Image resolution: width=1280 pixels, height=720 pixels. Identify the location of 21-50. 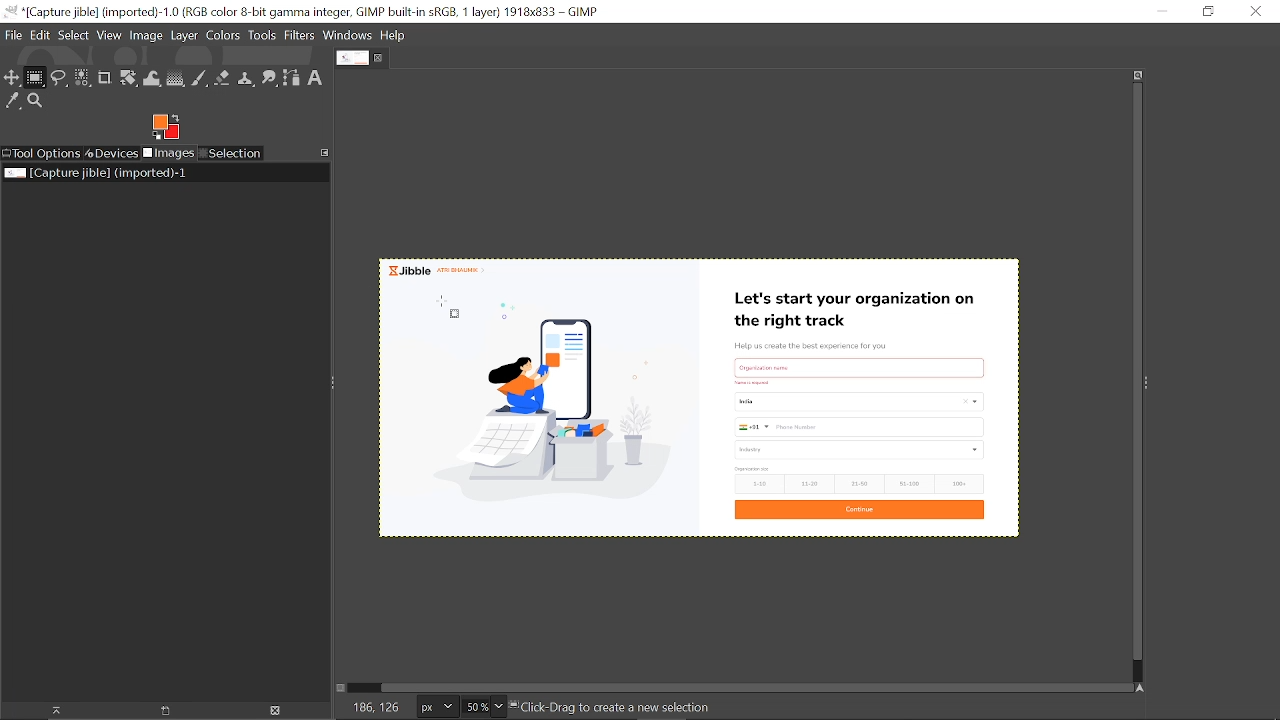
(860, 483).